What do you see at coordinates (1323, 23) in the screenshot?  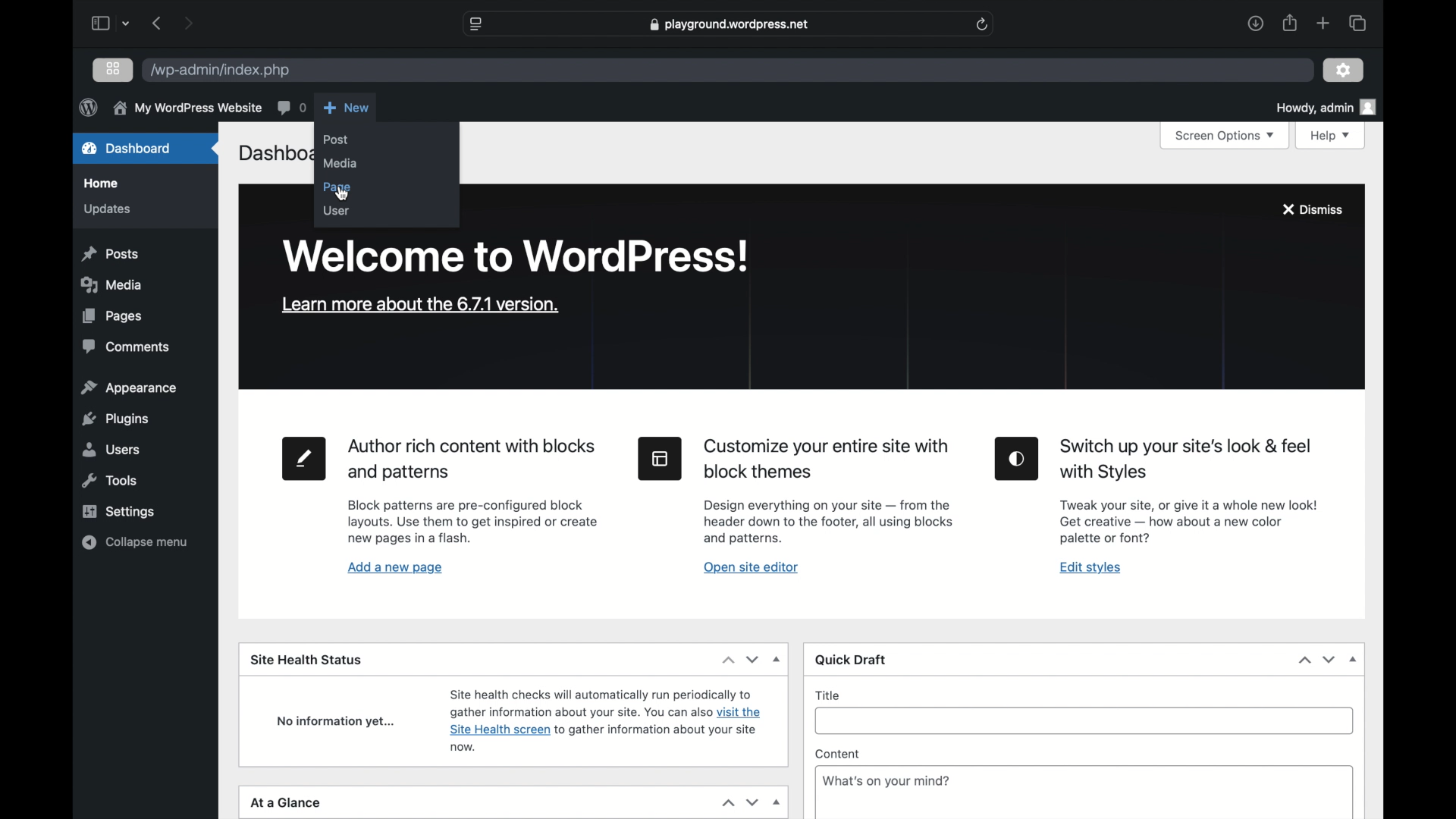 I see `new tab` at bounding box center [1323, 23].